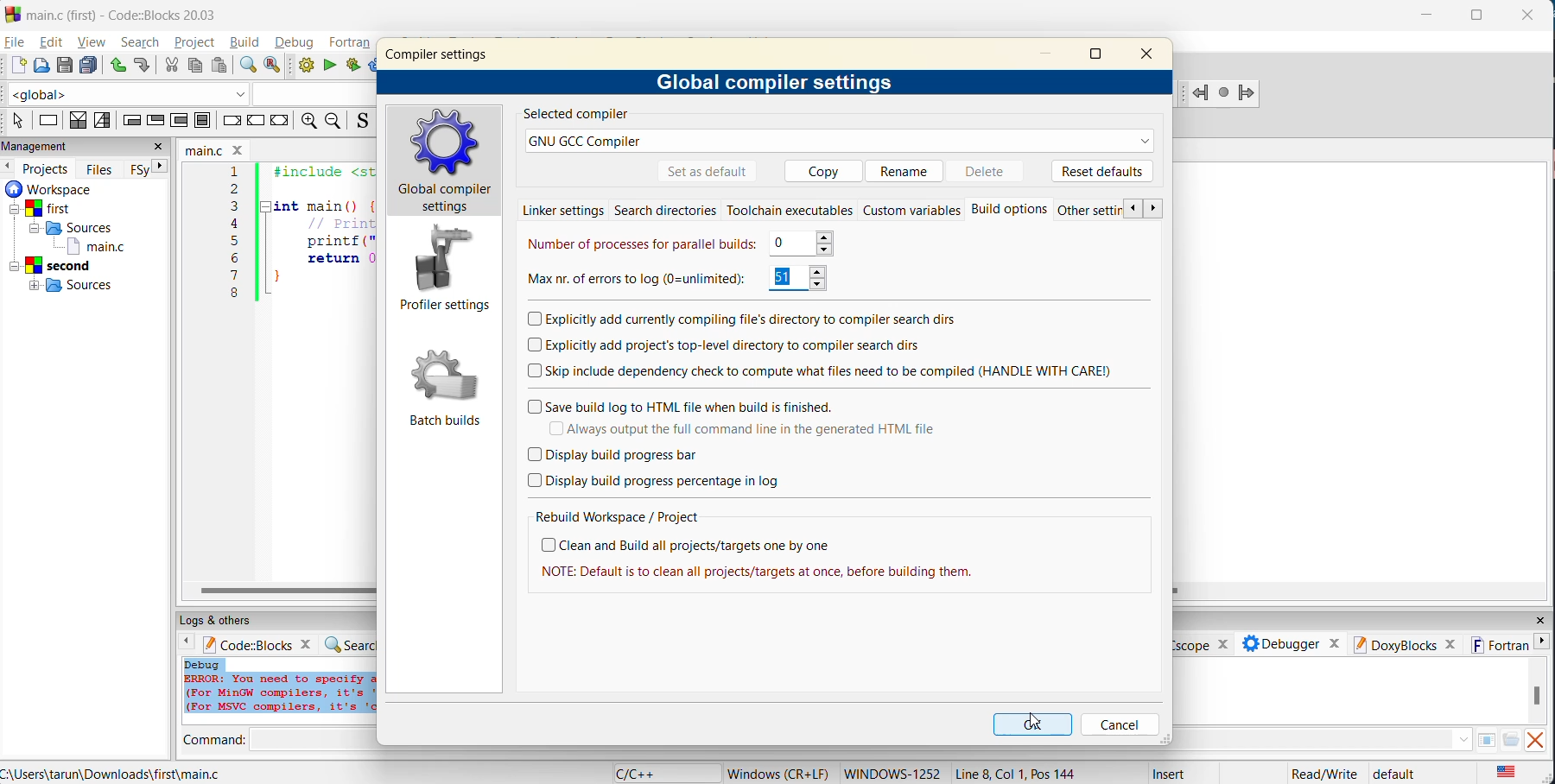 The image size is (1555, 784). Describe the element at coordinates (90, 66) in the screenshot. I see `save all` at that location.